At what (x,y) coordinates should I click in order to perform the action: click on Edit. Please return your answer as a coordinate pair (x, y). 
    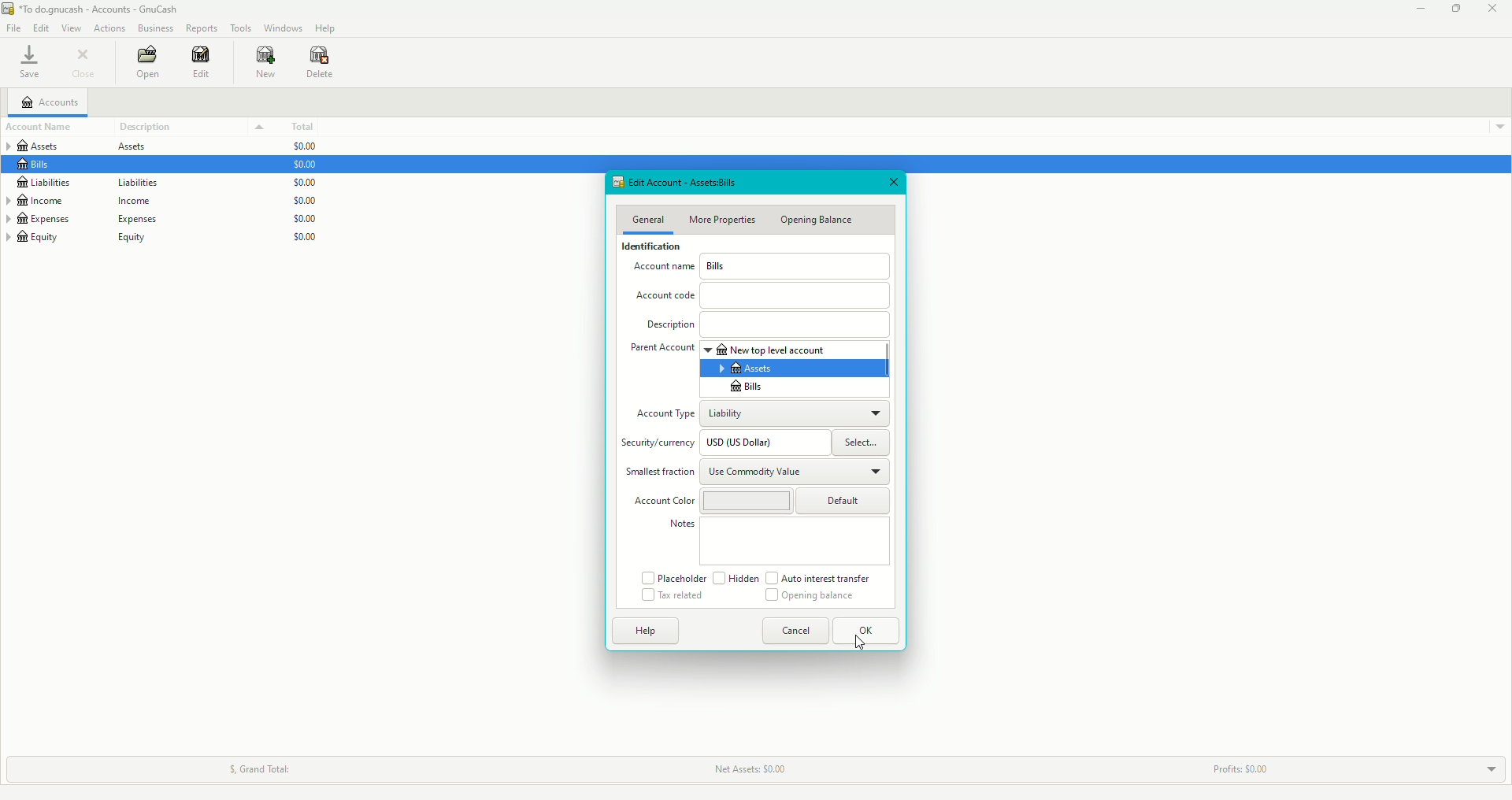
    Looking at the image, I should click on (205, 64).